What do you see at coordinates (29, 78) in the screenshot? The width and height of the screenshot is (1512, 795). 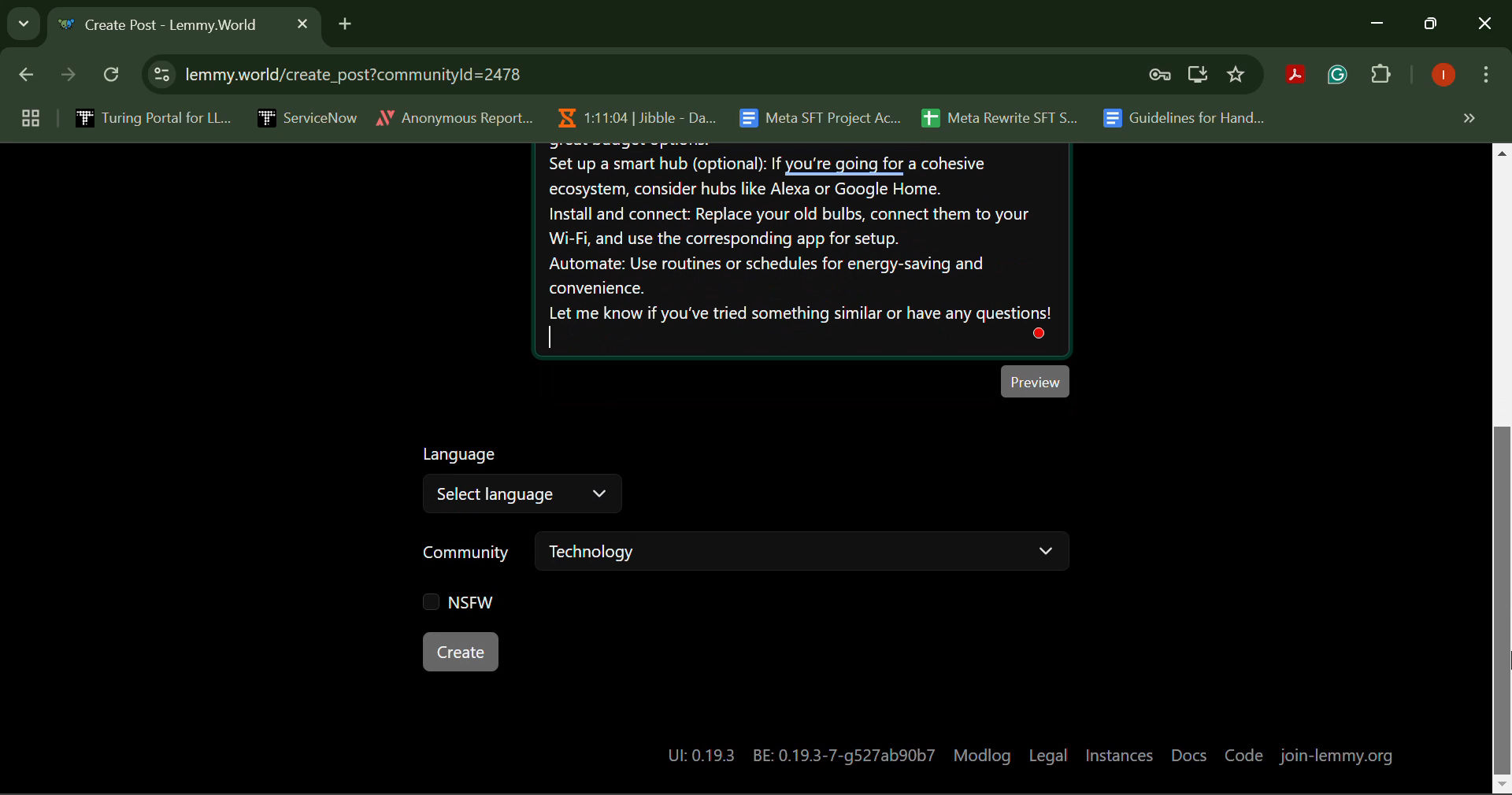 I see `Previous Page` at bounding box center [29, 78].